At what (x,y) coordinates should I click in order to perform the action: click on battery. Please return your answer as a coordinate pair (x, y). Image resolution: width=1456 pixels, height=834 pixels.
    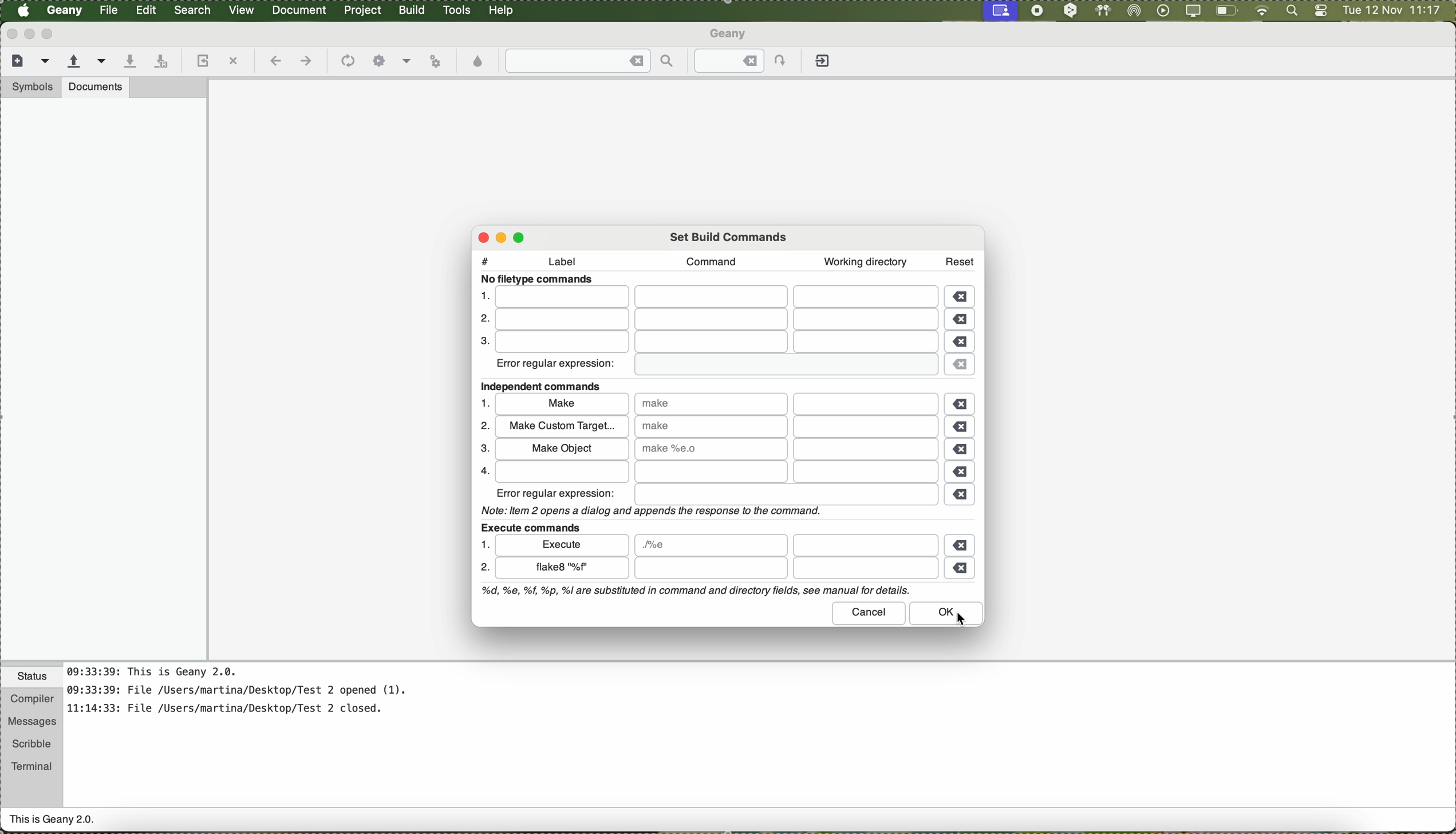
    Looking at the image, I should click on (1227, 13).